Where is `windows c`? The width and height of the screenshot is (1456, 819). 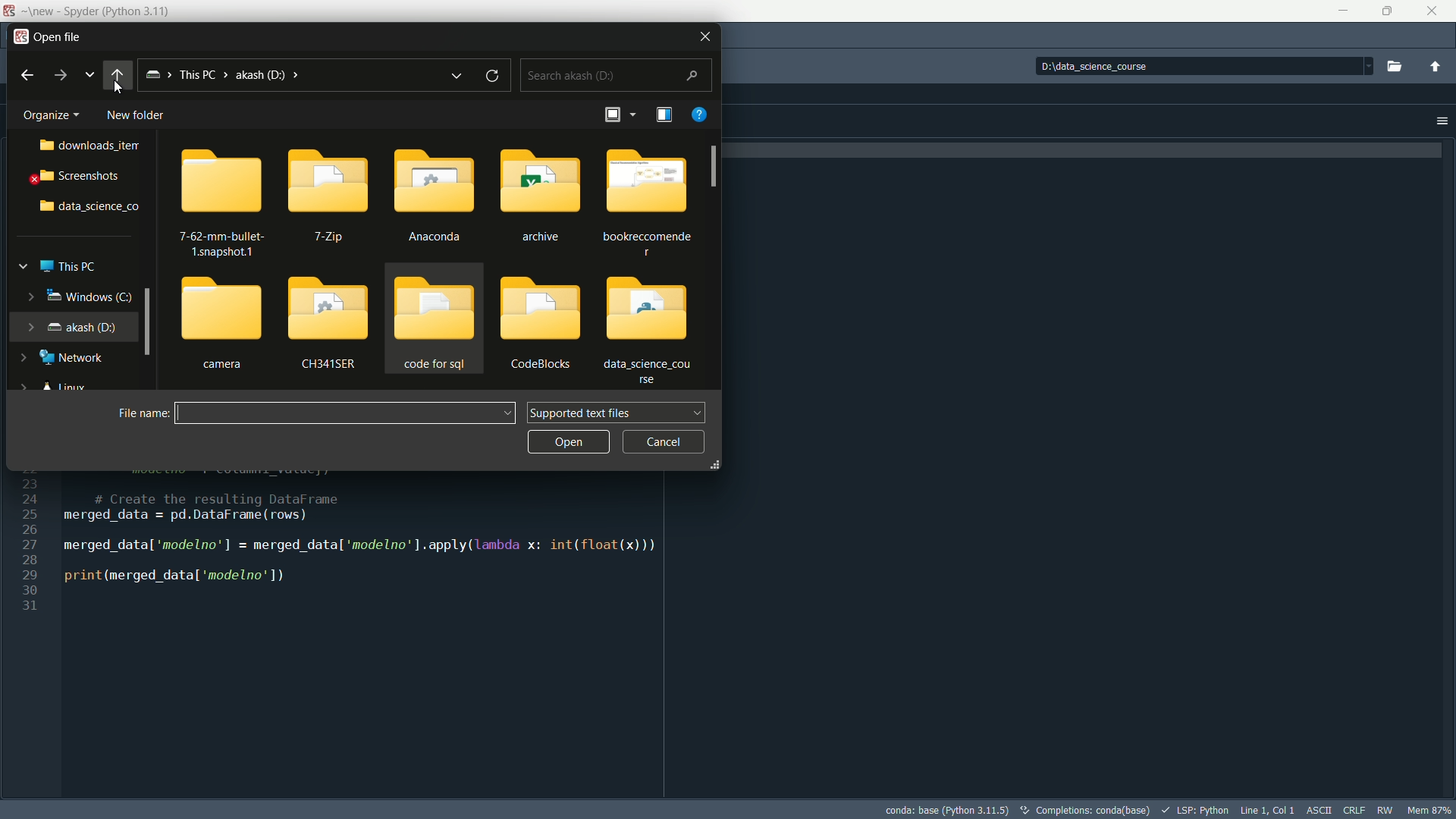 windows c is located at coordinates (90, 297).